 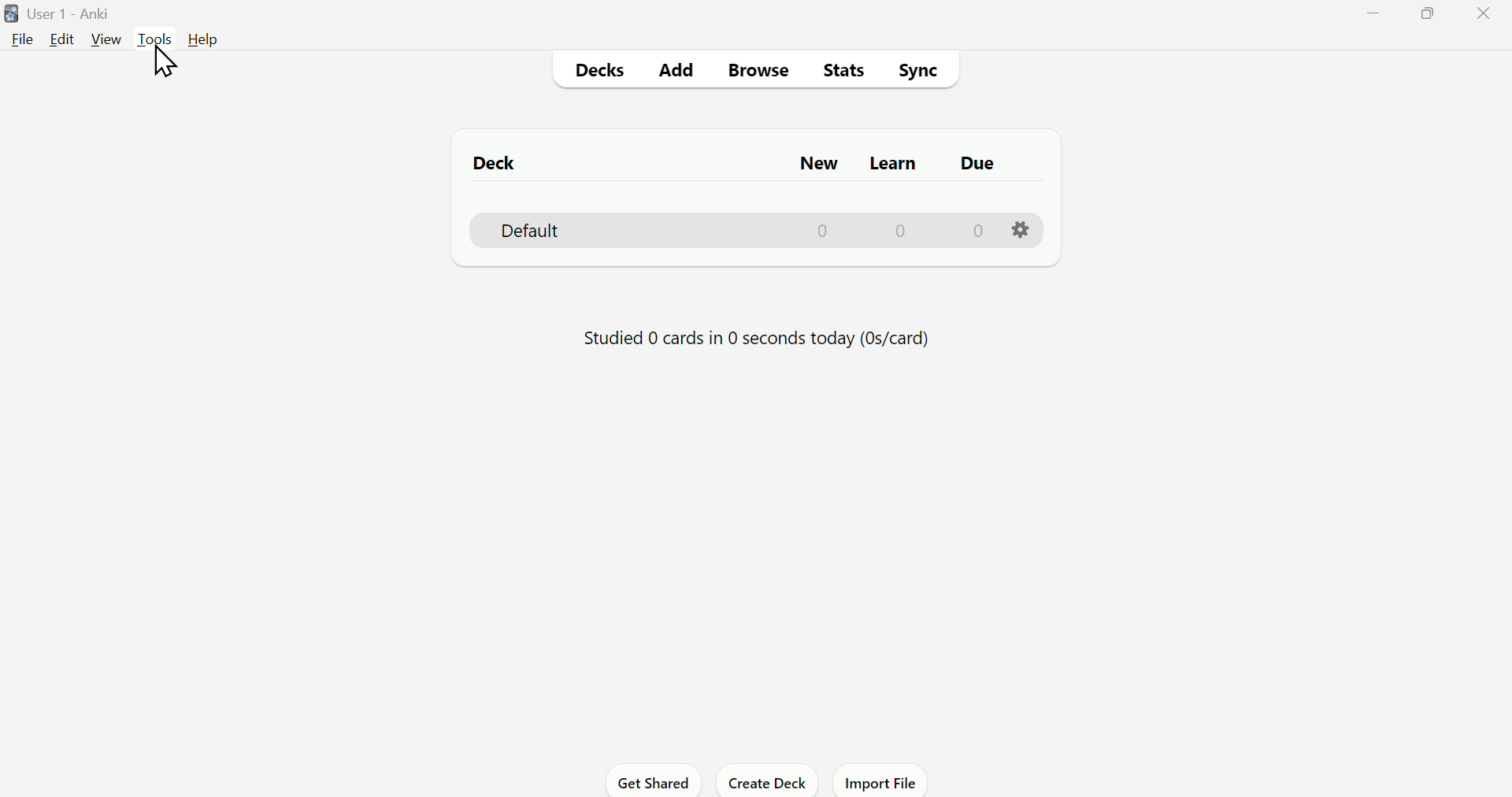 I want to click on Settings, so click(x=1021, y=229).